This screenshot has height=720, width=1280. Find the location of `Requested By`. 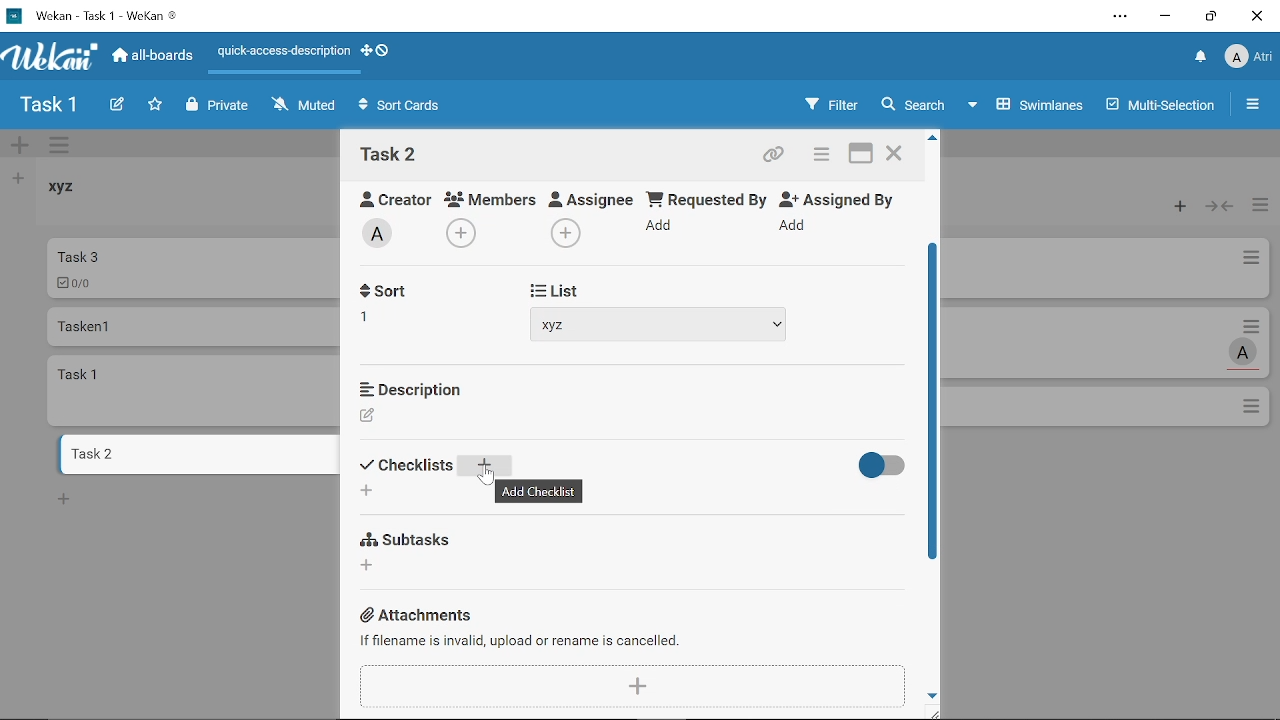

Requested By is located at coordinates (707, 198).